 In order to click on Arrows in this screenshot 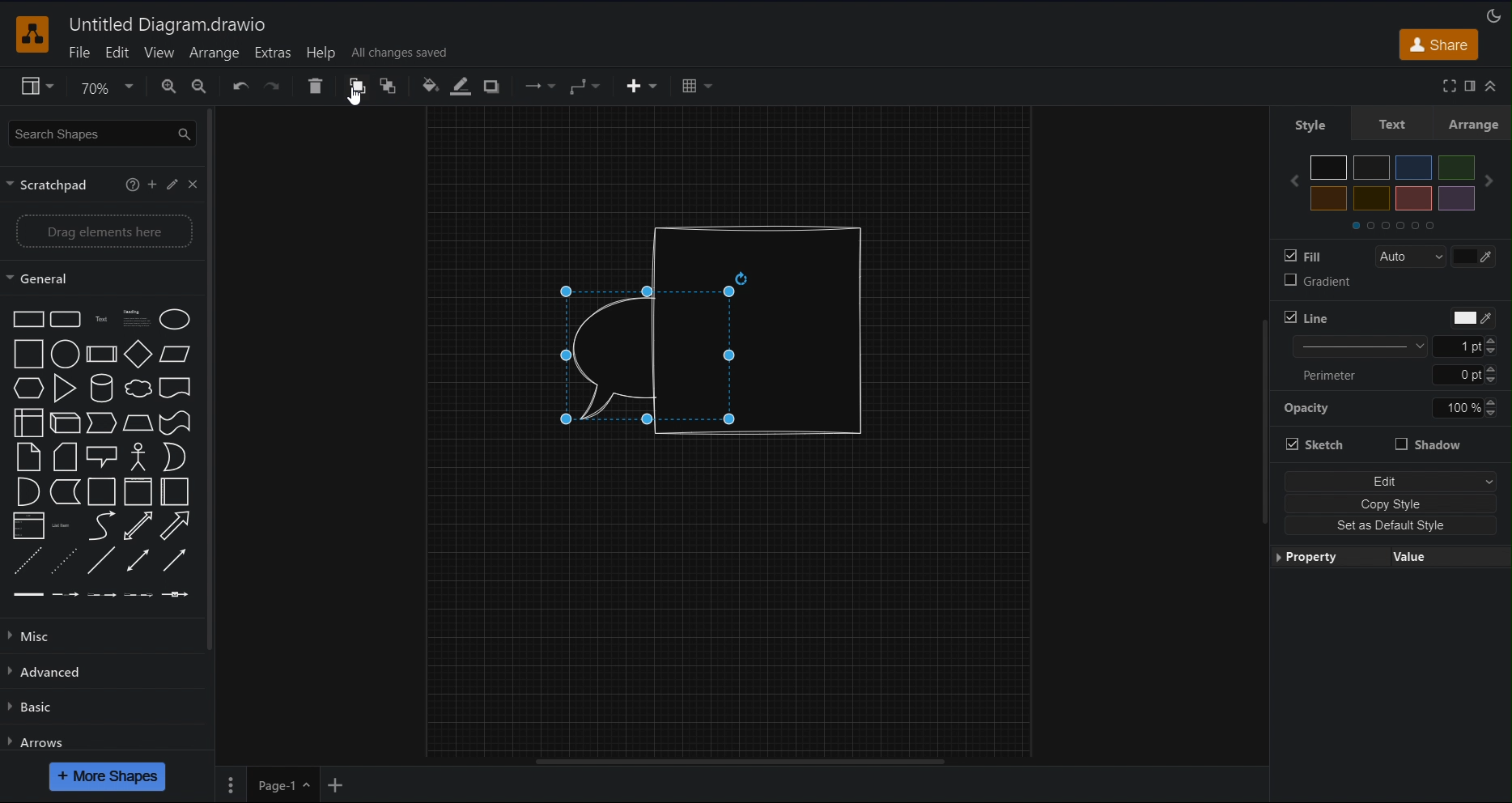, I will do `click(103, 737)`.